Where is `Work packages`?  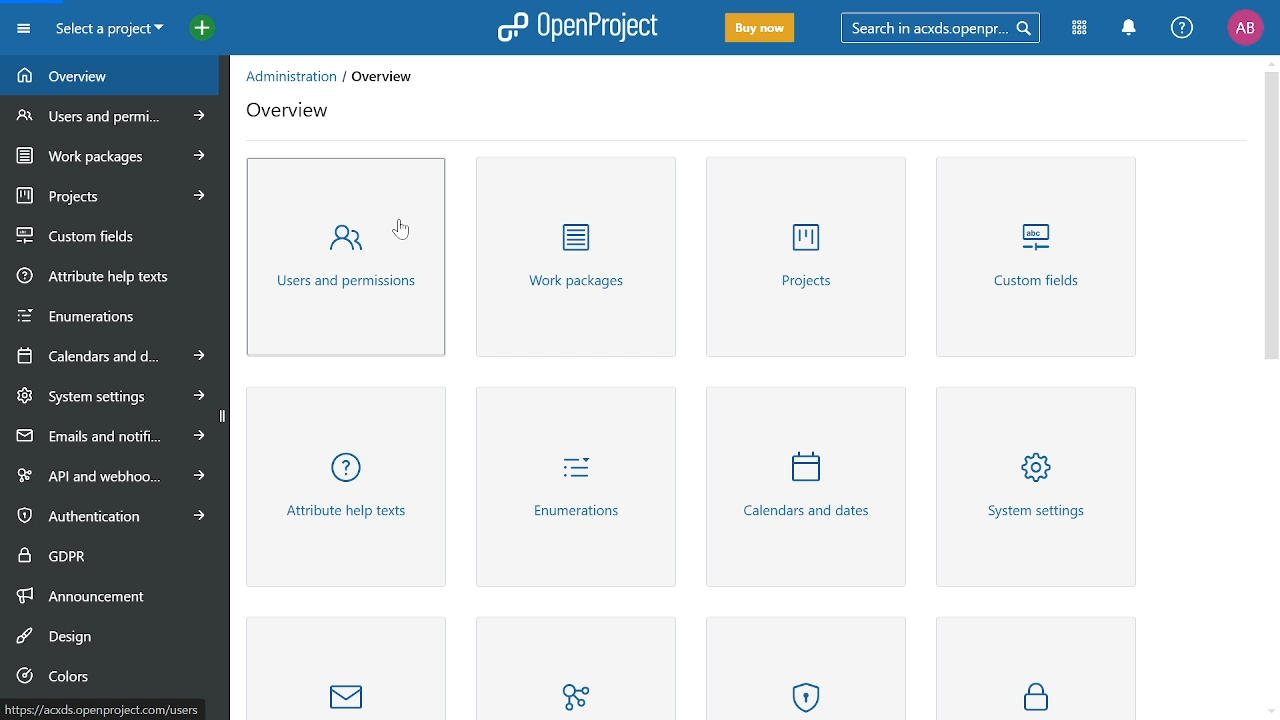
Work packages is located at coordinates (572, 258).